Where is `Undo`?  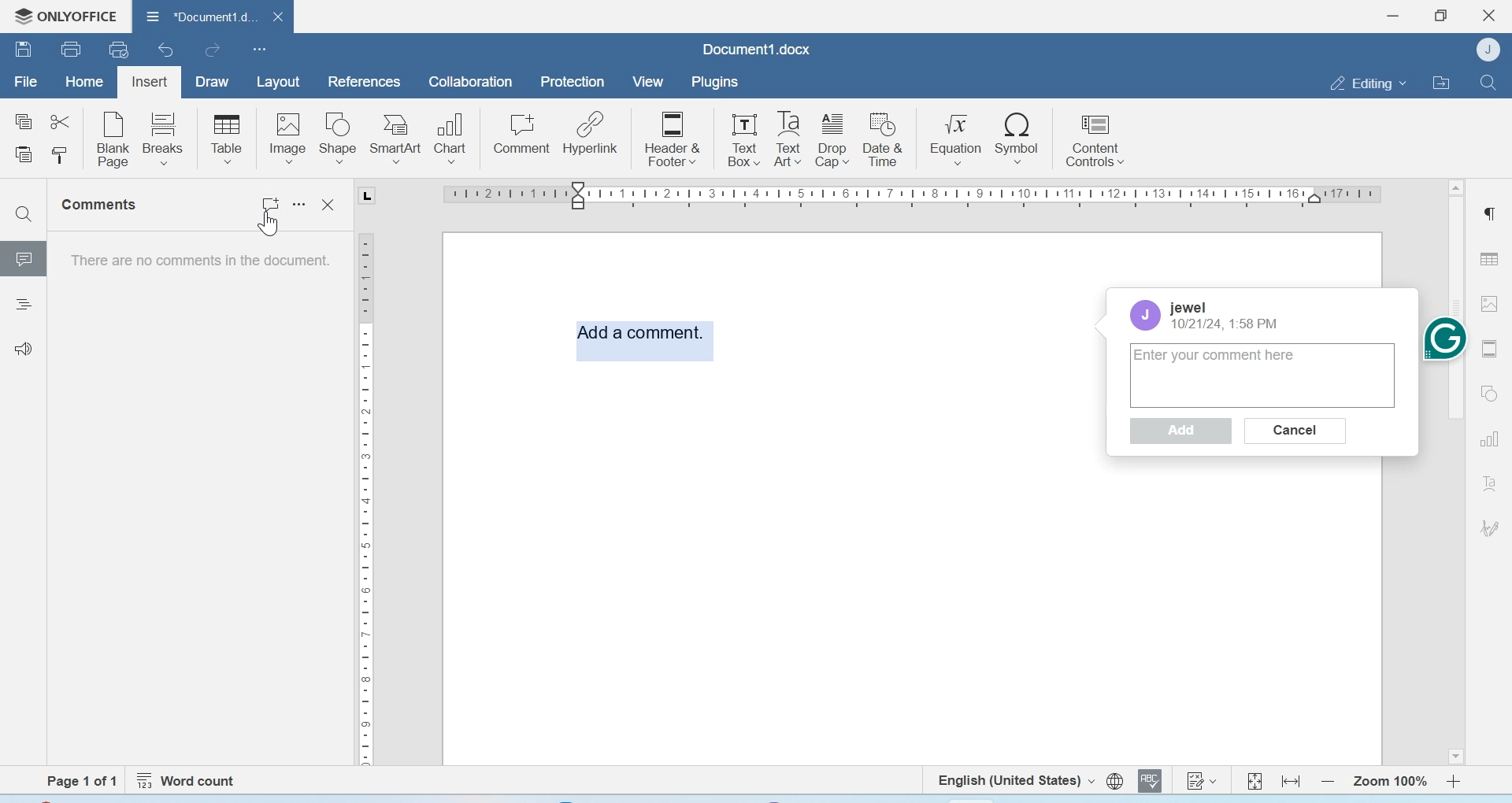
Undo is located at coordinates (168, 50).